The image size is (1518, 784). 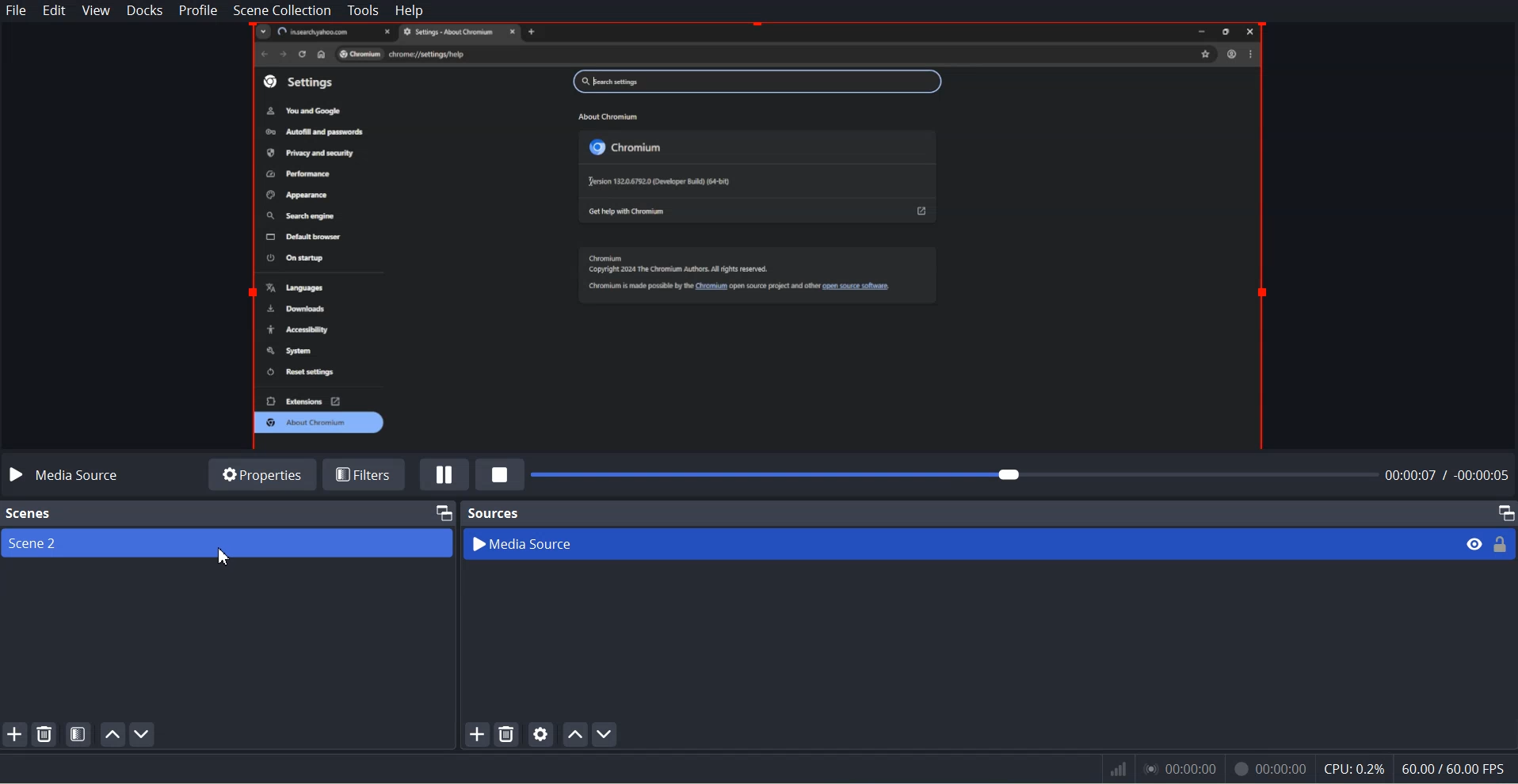 What do you see at coordinates (17, 10) in the screenshot?
I see `File` at bounding box center [17, 10].